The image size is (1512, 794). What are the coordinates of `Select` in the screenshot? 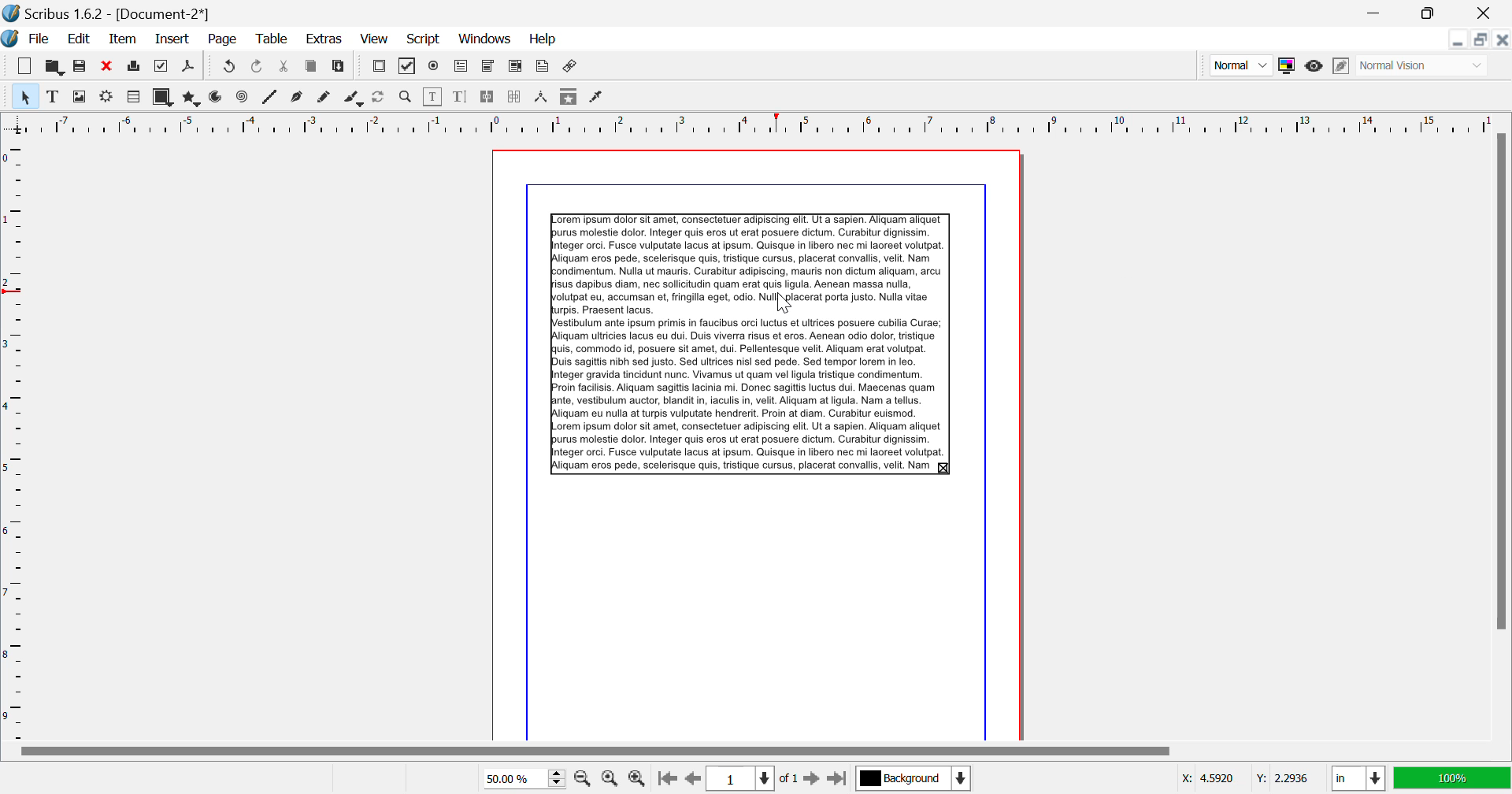 It's located at (24, 95).